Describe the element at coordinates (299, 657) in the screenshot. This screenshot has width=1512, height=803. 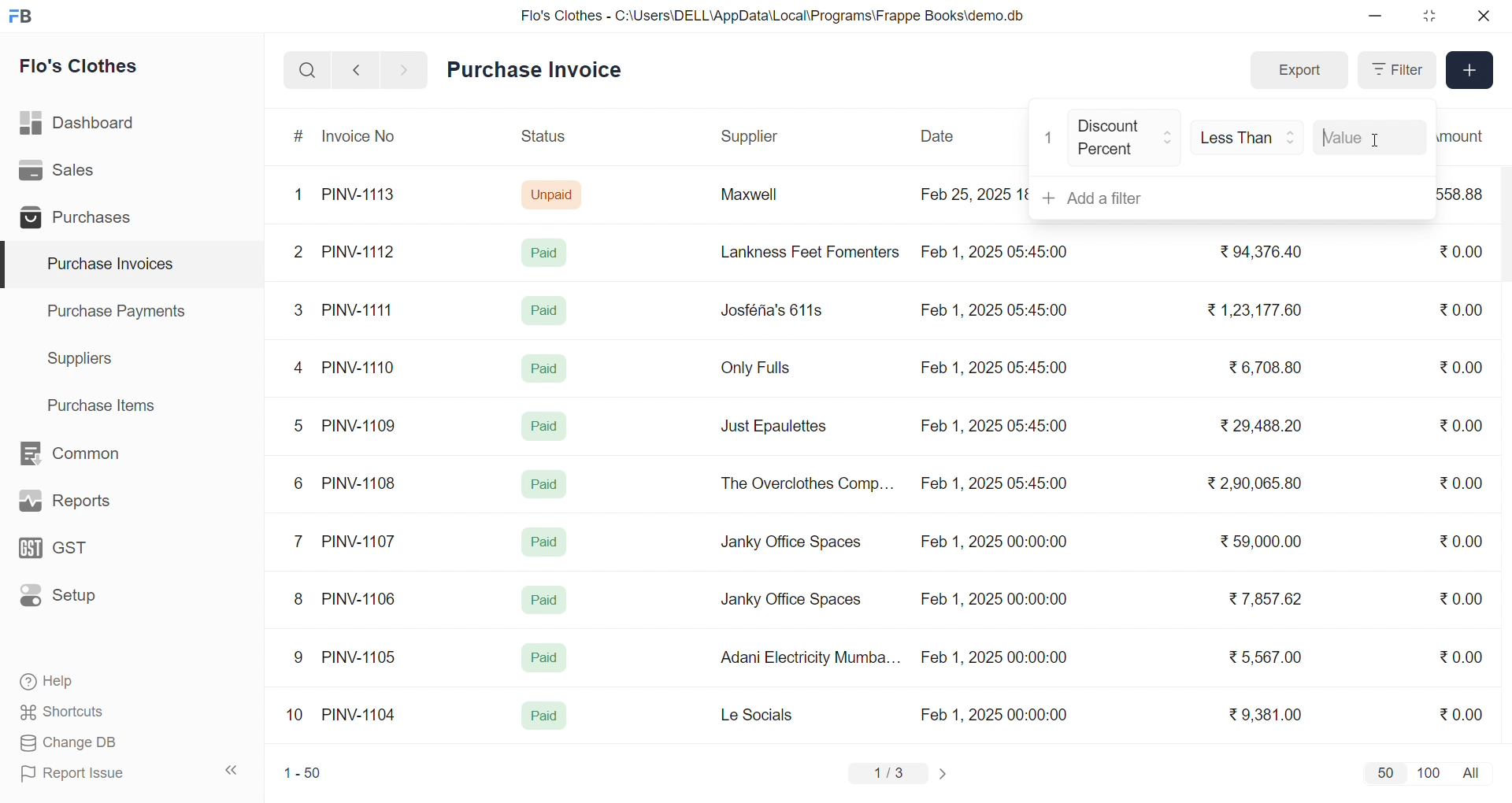
I see `9` at that location.